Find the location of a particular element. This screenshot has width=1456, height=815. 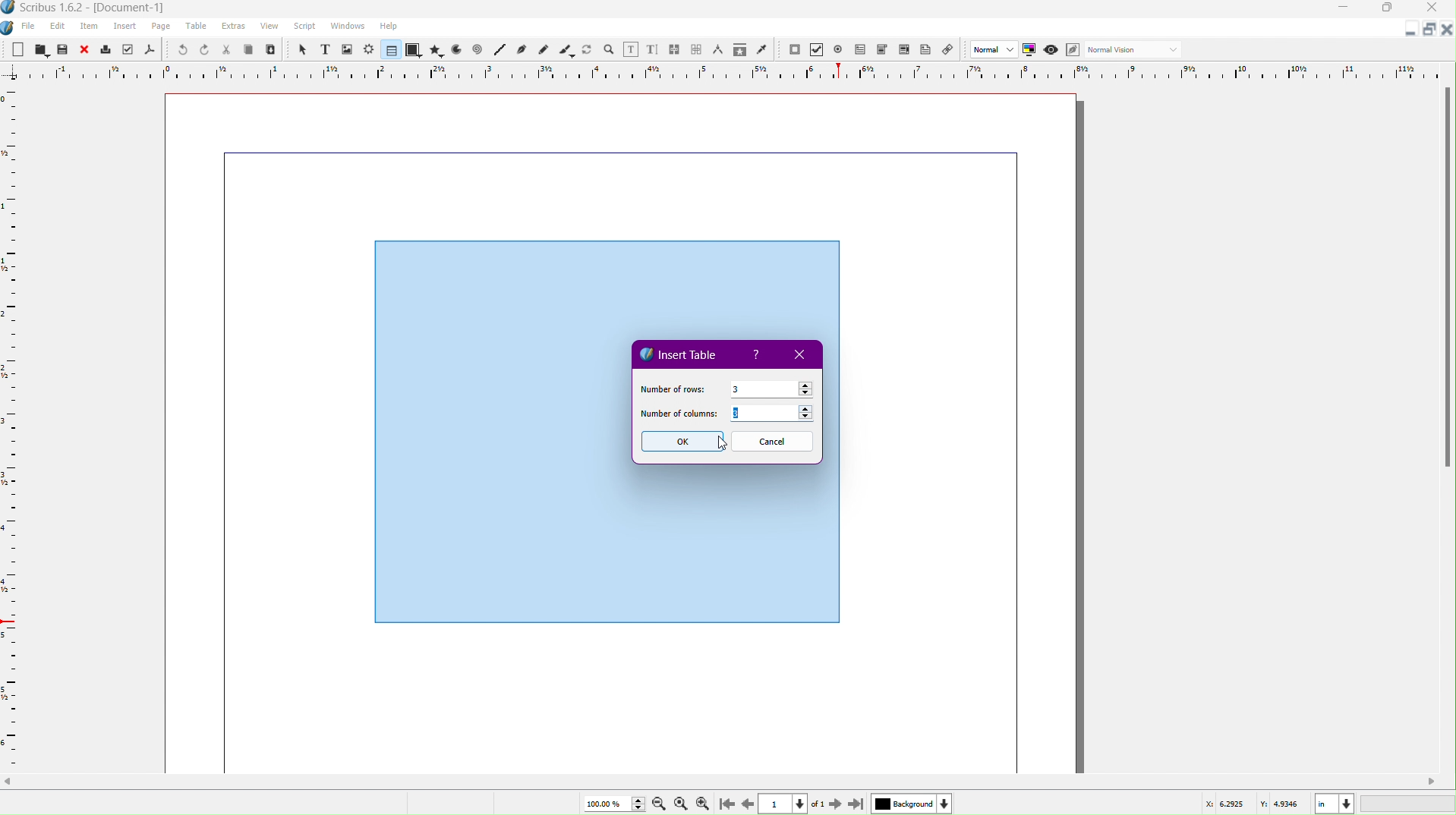

Bezier Curve is located at coordinates (522, 50).